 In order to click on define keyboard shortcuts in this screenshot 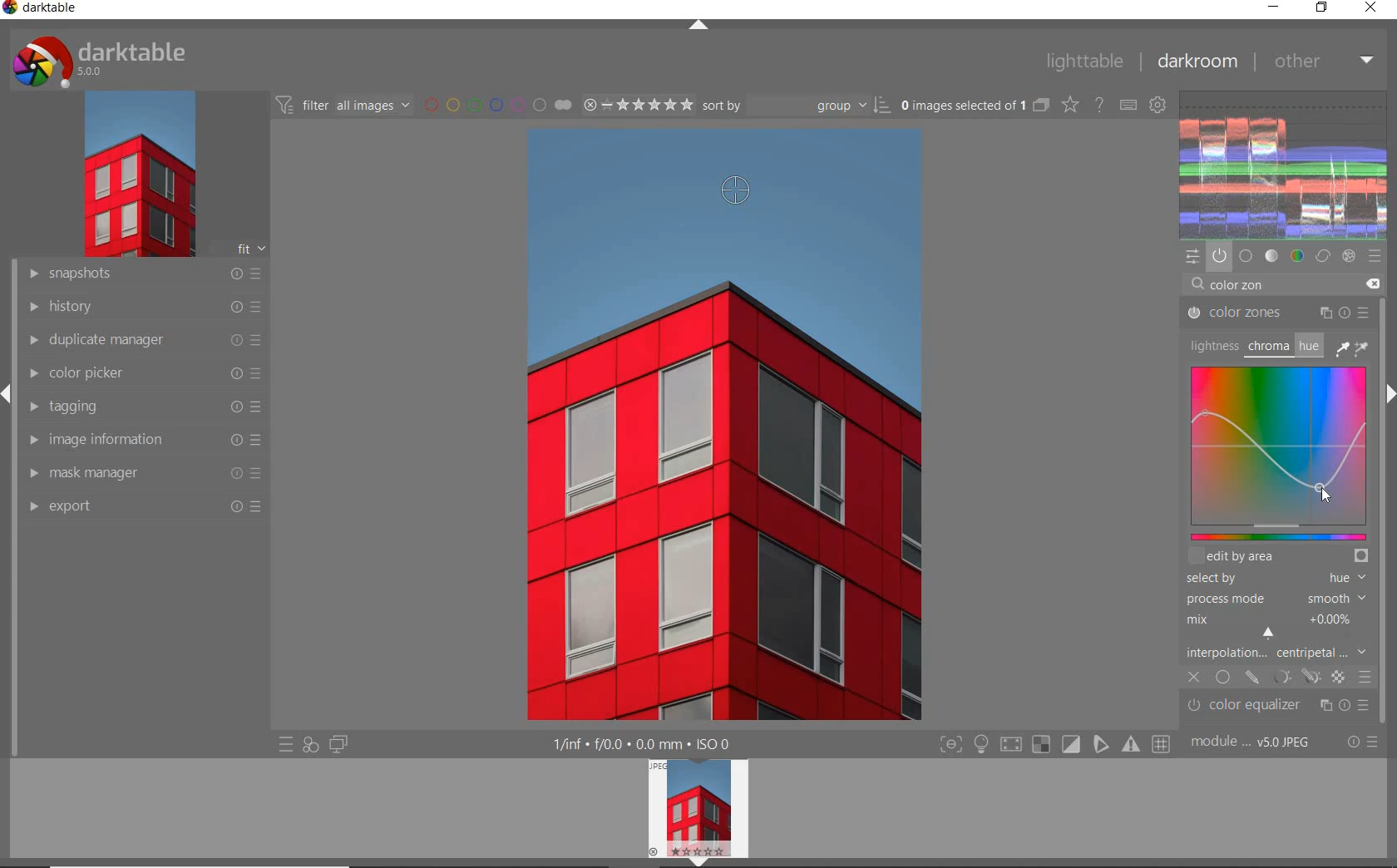, I will do `click(1129, 105)`.